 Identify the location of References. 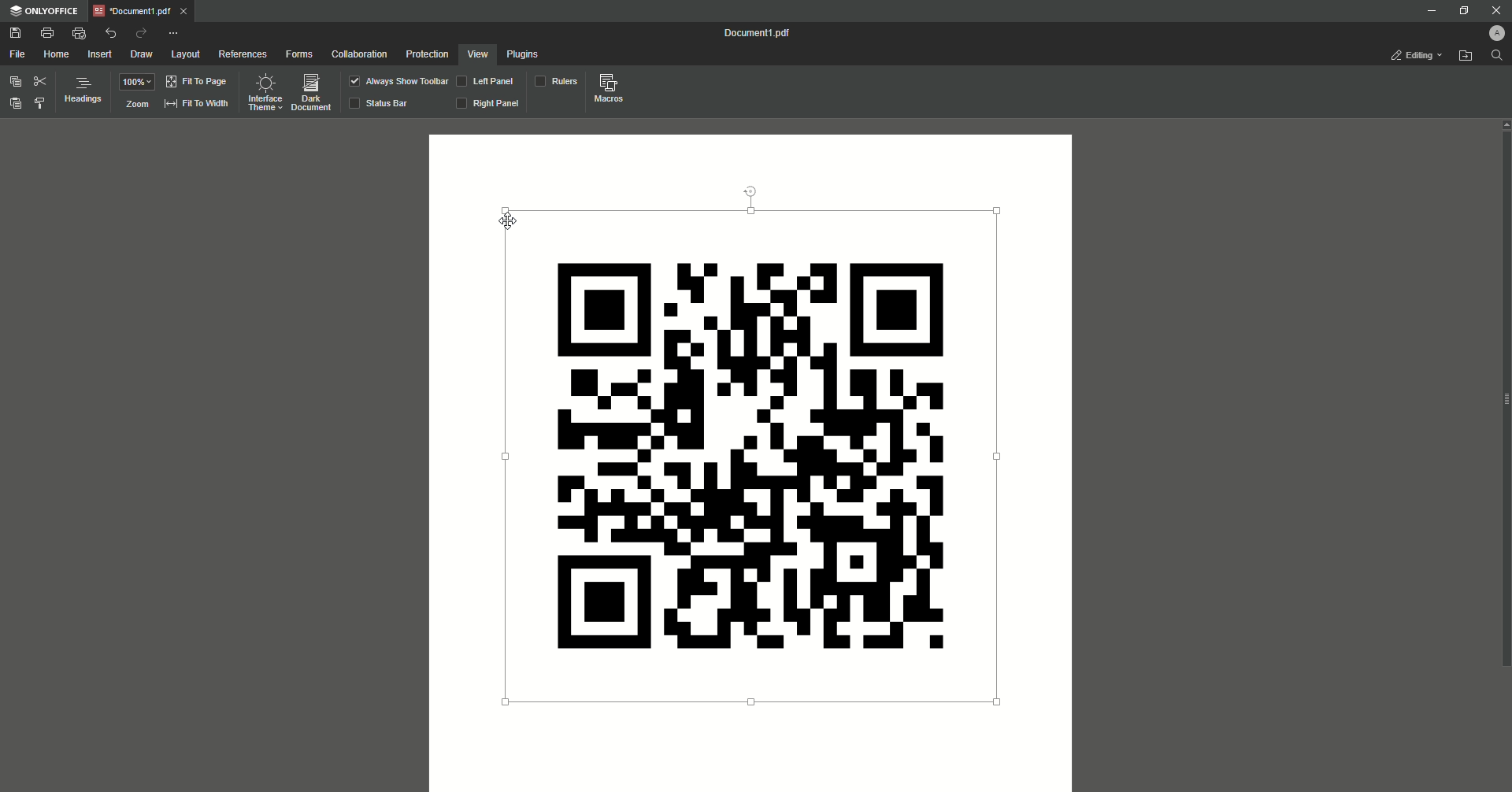
(242, 54).